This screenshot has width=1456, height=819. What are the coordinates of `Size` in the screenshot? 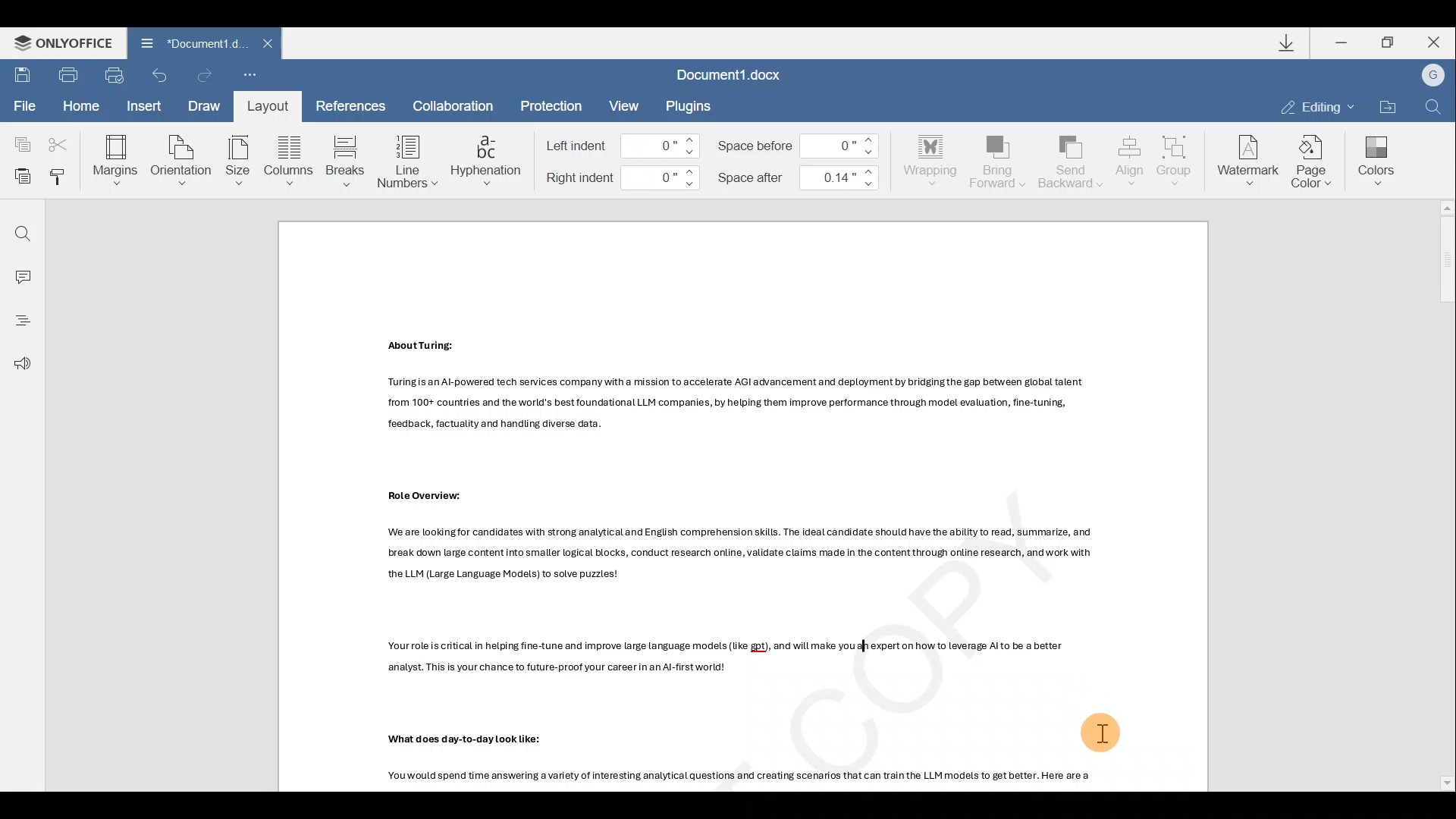 It's located at (238, 159).